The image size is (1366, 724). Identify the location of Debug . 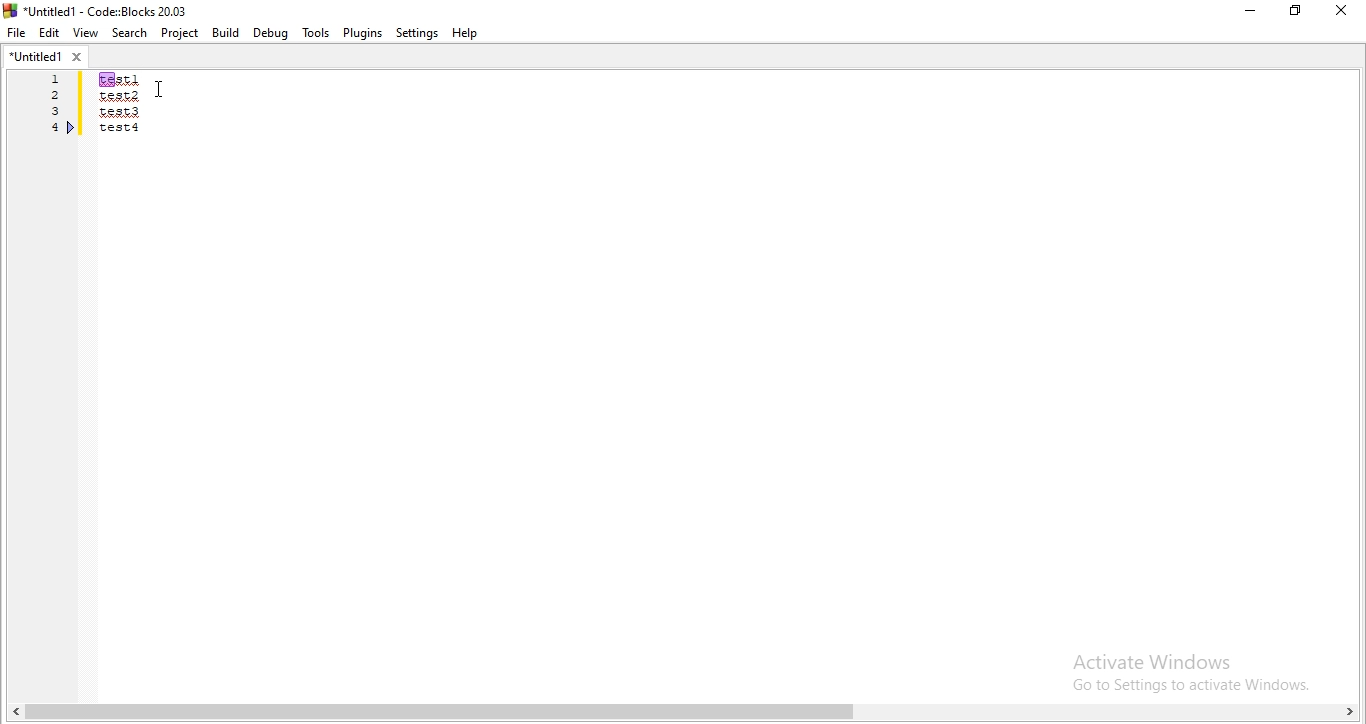
(271, 33).